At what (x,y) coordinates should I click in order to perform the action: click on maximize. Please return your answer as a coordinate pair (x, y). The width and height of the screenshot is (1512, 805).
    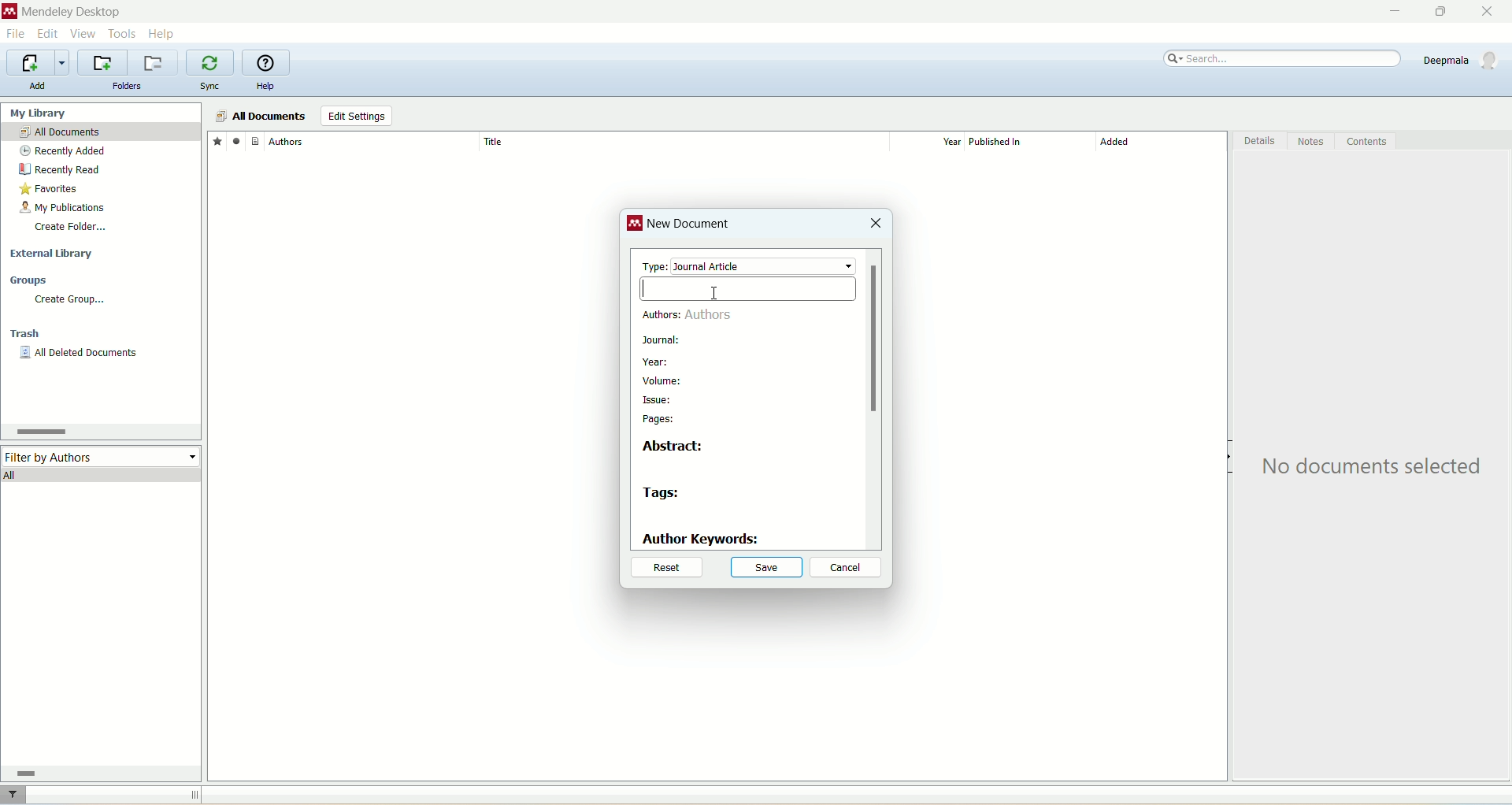
    Looking at the image, I should click on (1437, 12).